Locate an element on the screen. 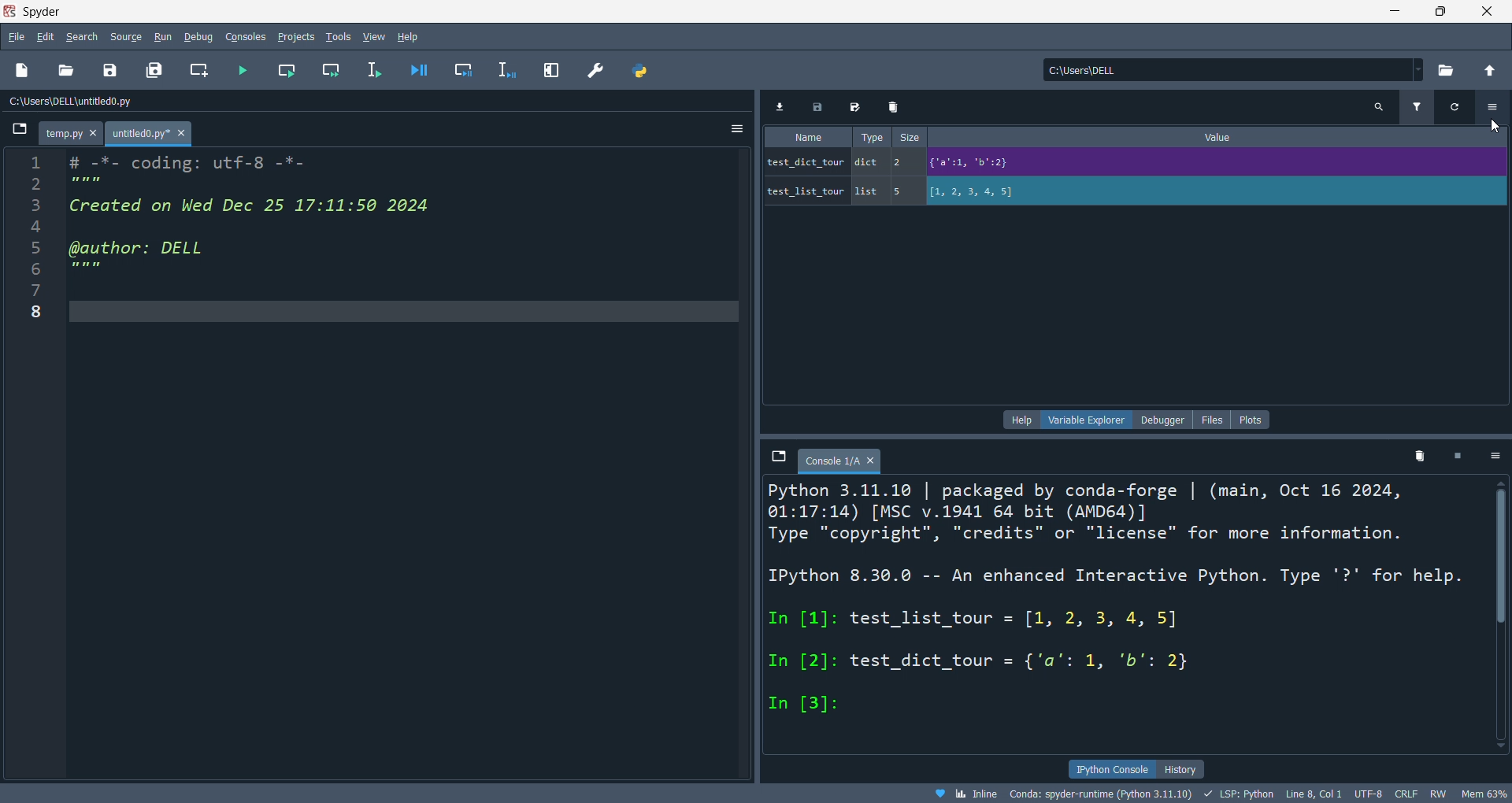 This screenshot has width=1512, height=803. test_dict_tour  is located at coordinates (1137, 161).